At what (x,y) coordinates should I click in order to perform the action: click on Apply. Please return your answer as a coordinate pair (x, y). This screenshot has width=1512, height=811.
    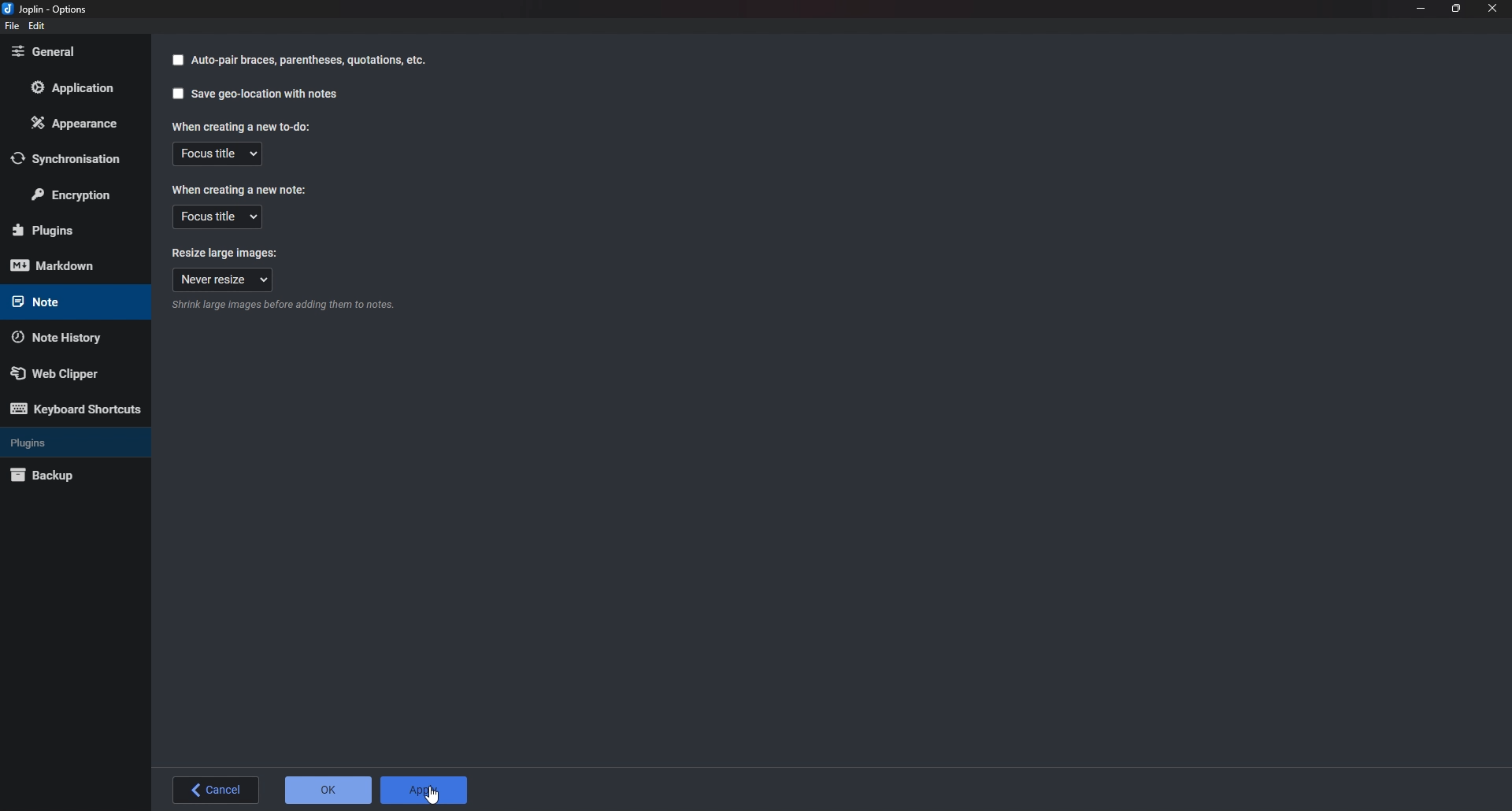
    Looking at the image, I should click on (425, 790).